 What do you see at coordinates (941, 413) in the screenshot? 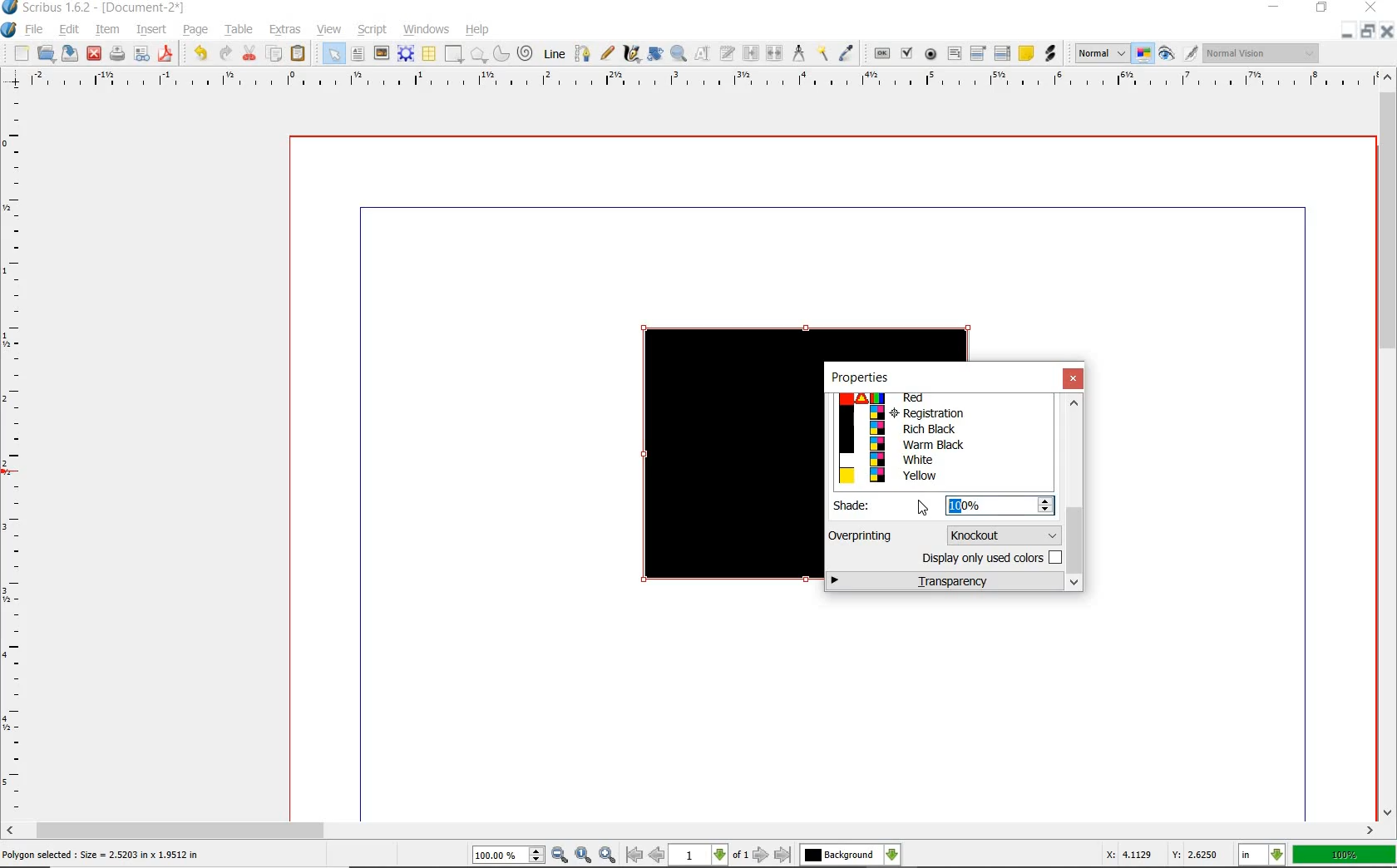
I see `Registration` at bounding box center [941, 413].